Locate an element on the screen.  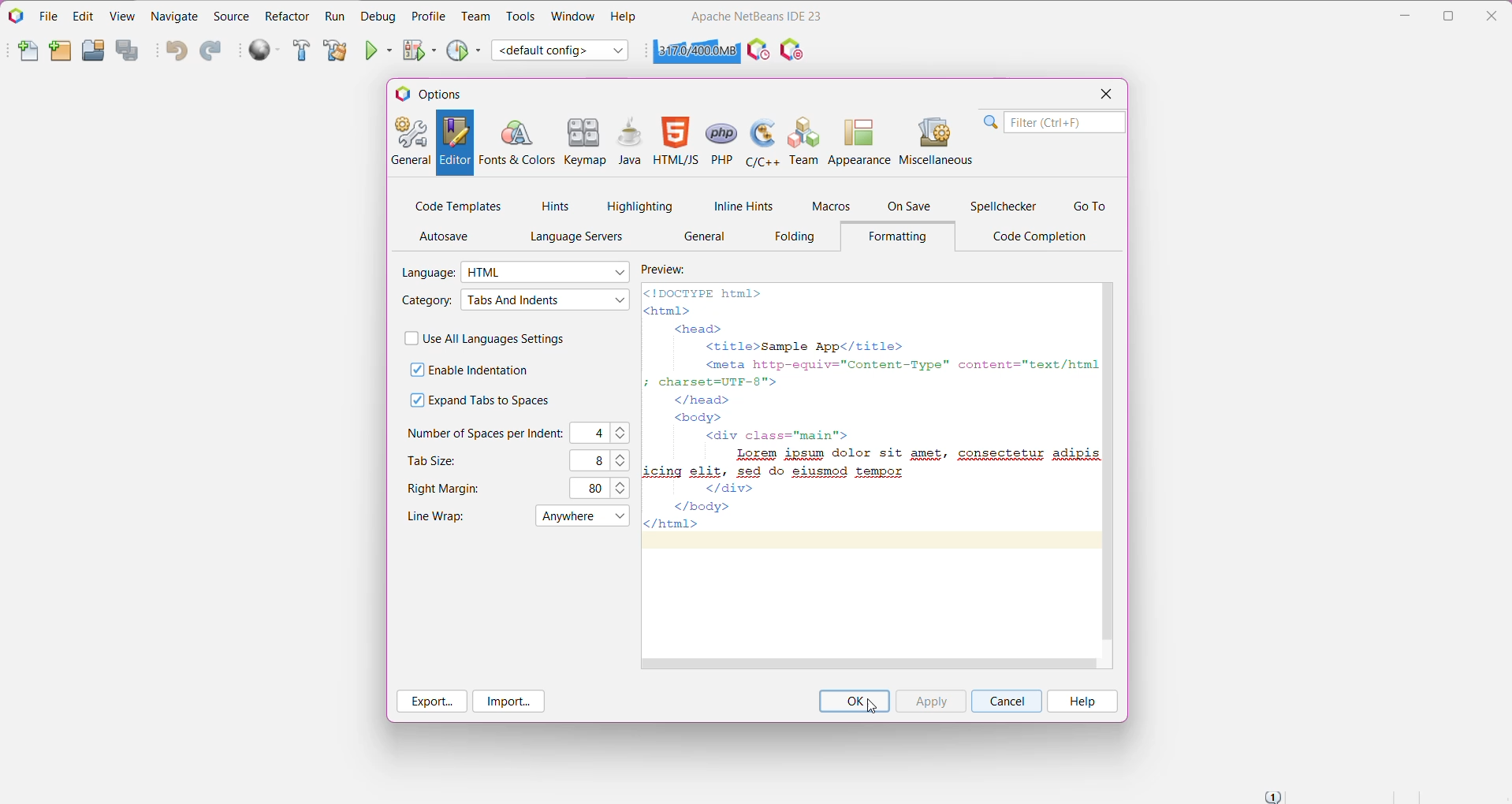
logo is located at coordinates (399, 95).